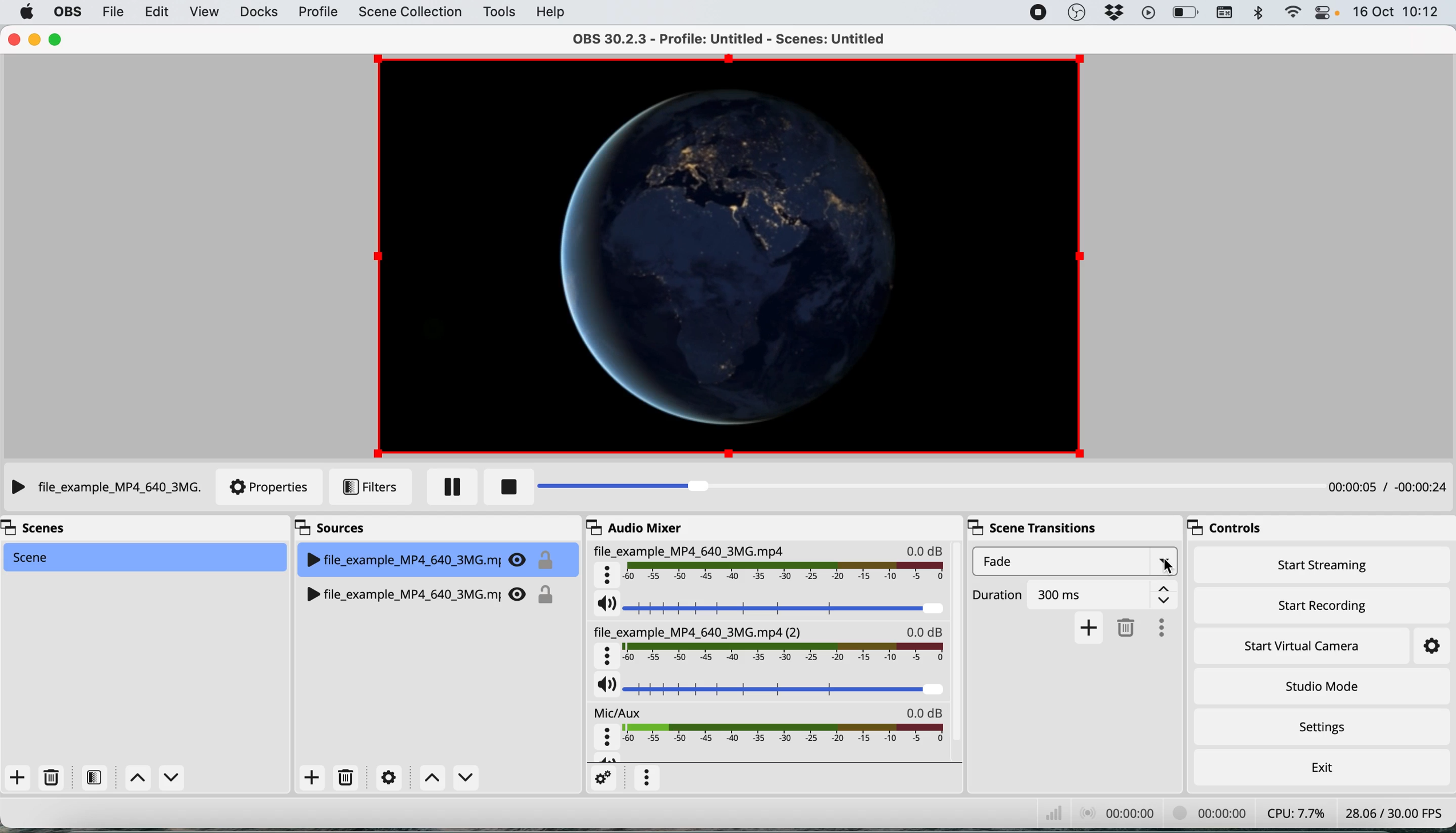 The width and height of the screenshot is (1456, 833). Describe the element at coordinates (1260, 13) in the screenshot. I see `bluetooth` at that location.